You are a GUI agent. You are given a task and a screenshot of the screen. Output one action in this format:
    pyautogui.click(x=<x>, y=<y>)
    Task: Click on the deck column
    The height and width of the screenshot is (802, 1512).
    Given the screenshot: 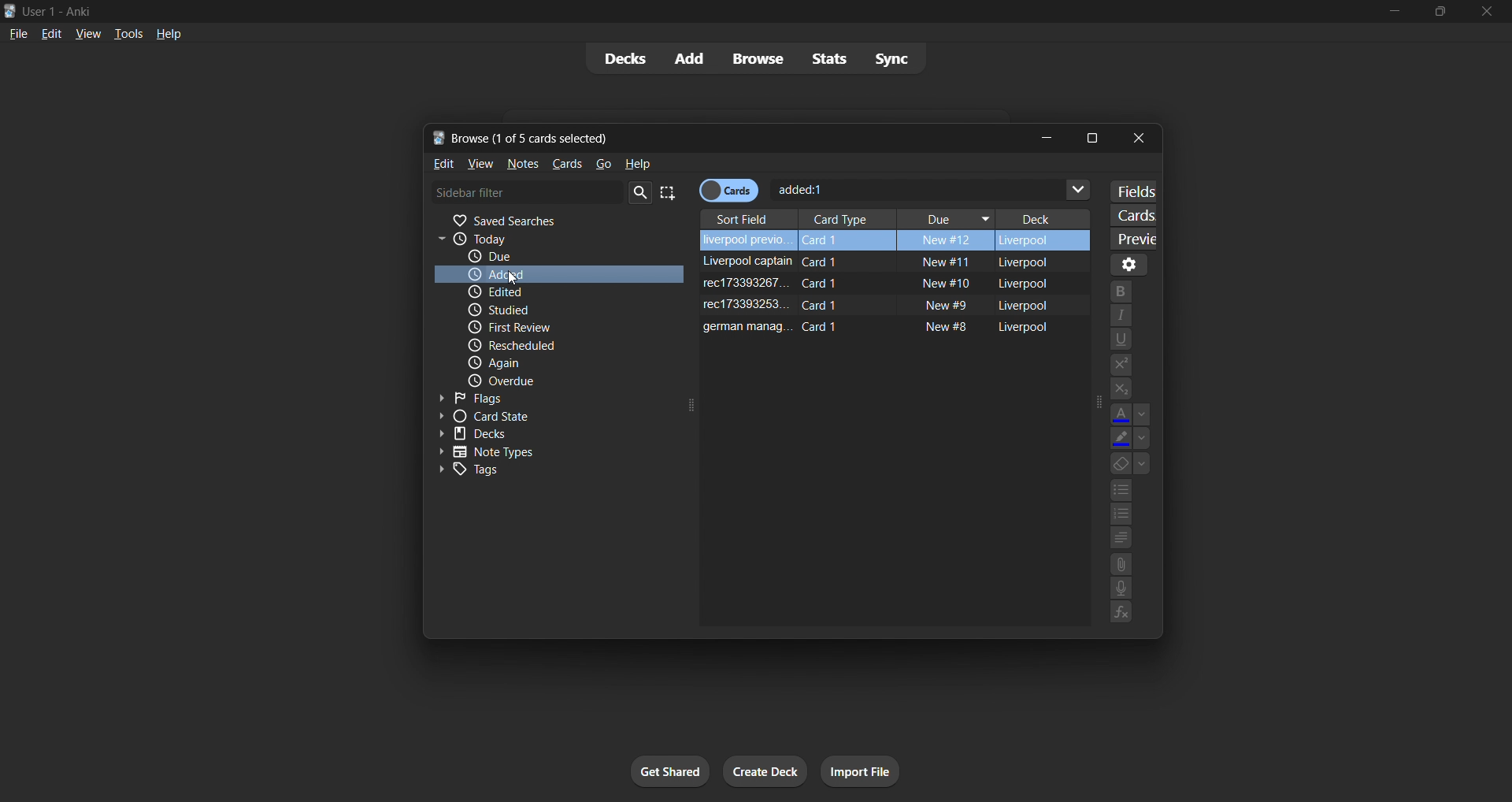 What is the action you would take?
    pyautogui.click(x=1047, y=213)
    